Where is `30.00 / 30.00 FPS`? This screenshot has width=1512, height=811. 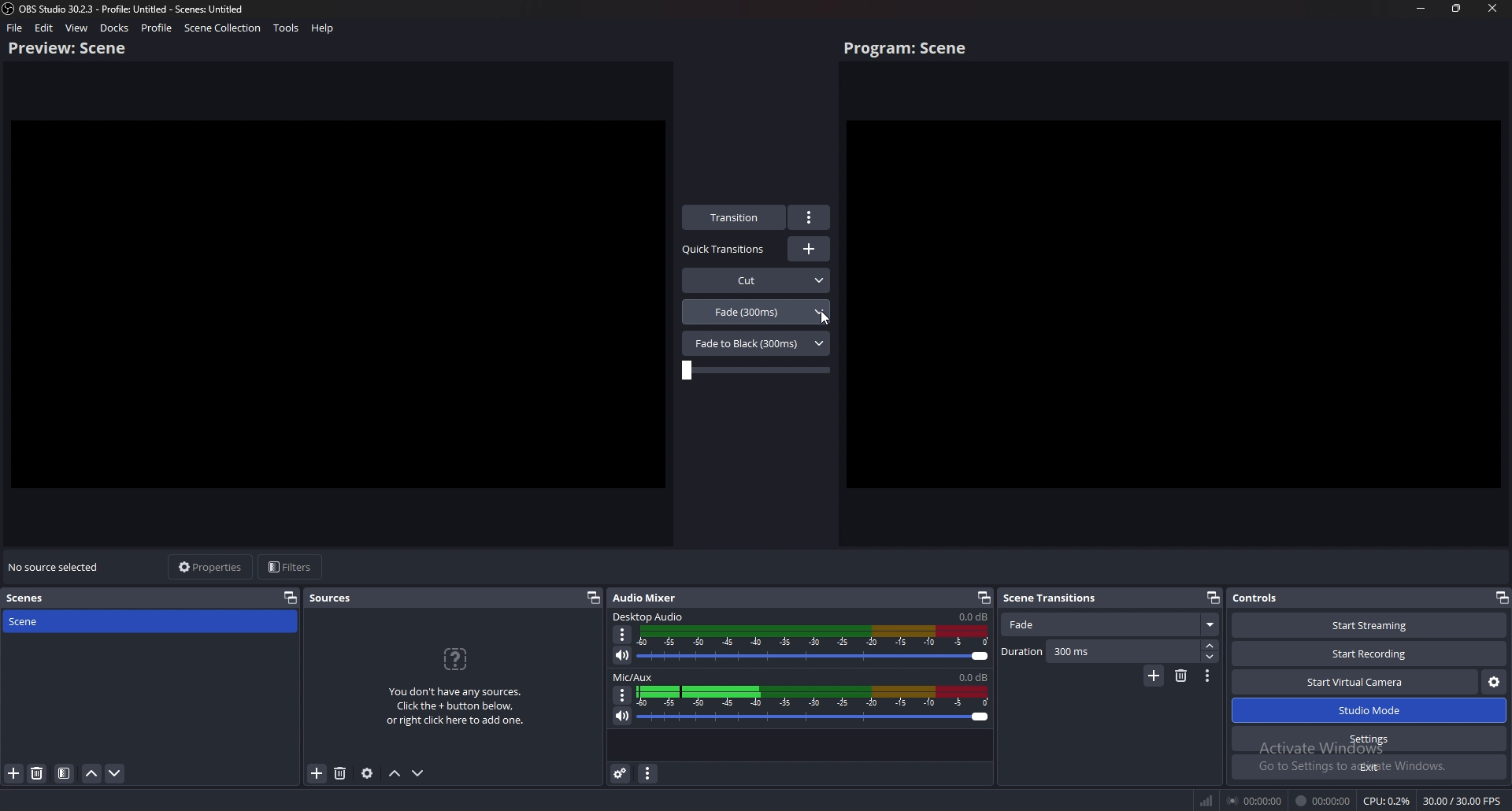
30.00 / 30.00 FPS is located at coordinates (1462, 800).